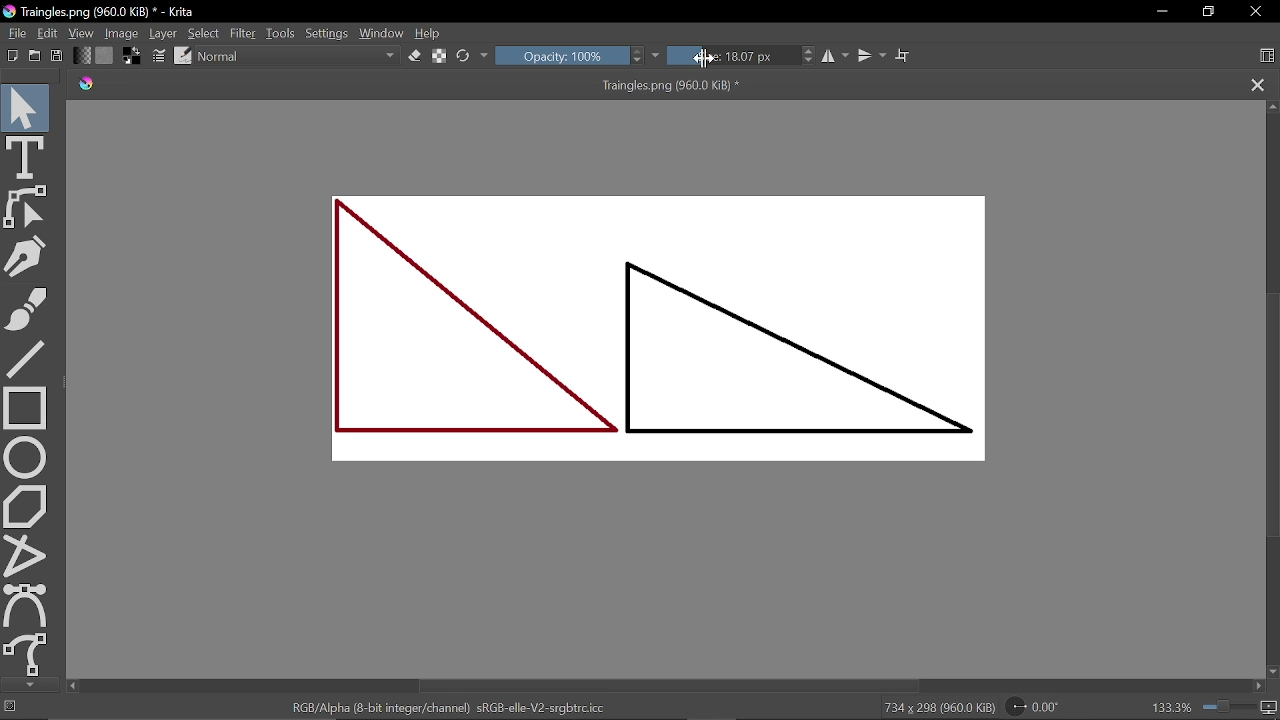  What do you see at coordinates (15, 33) in the screenshot?
I see `File` at bounding box center [15, 33].